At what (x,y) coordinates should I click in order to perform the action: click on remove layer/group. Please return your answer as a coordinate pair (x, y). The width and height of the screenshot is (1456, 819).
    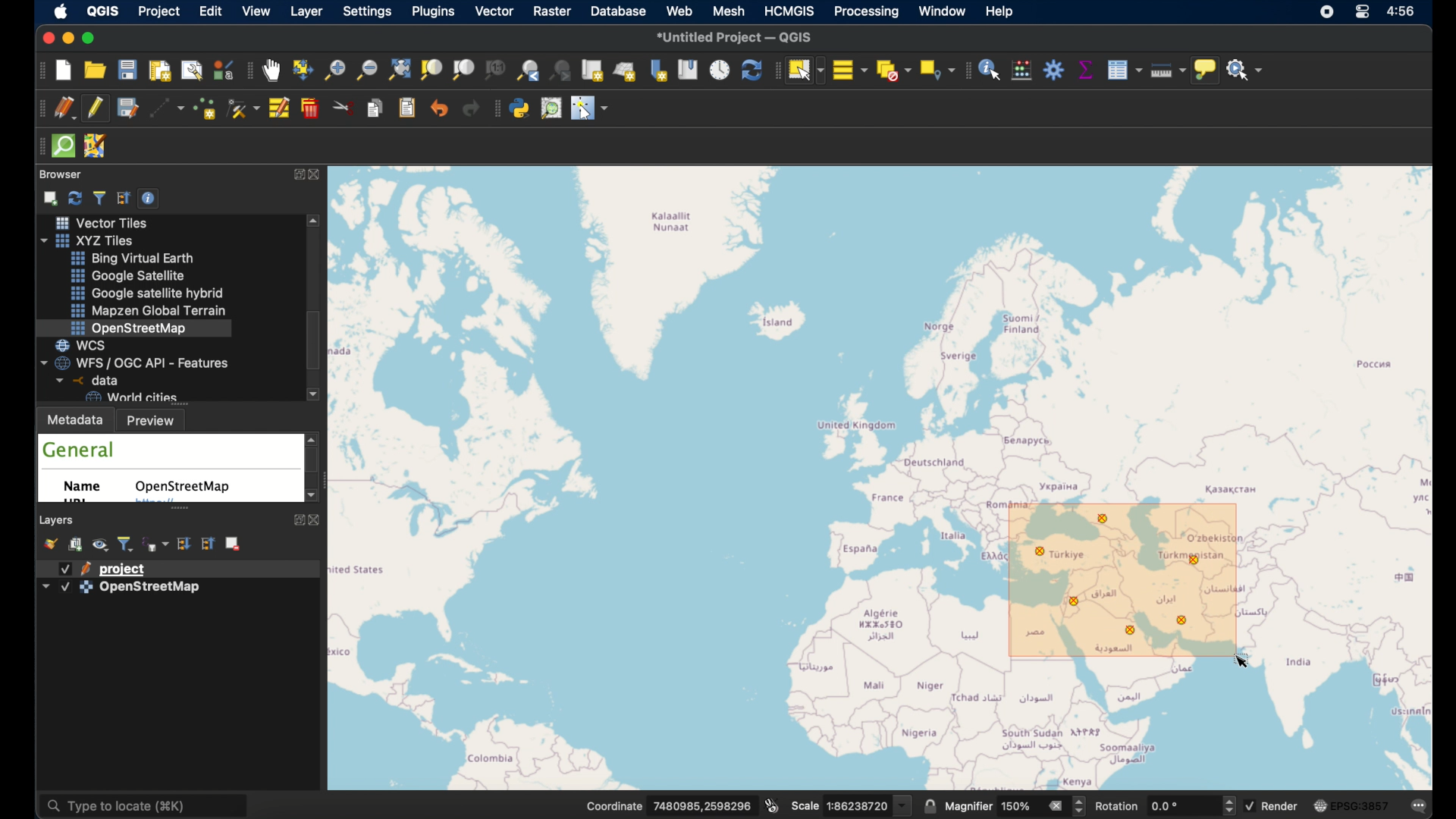
    Looking at the image, I should click on (235, 544).